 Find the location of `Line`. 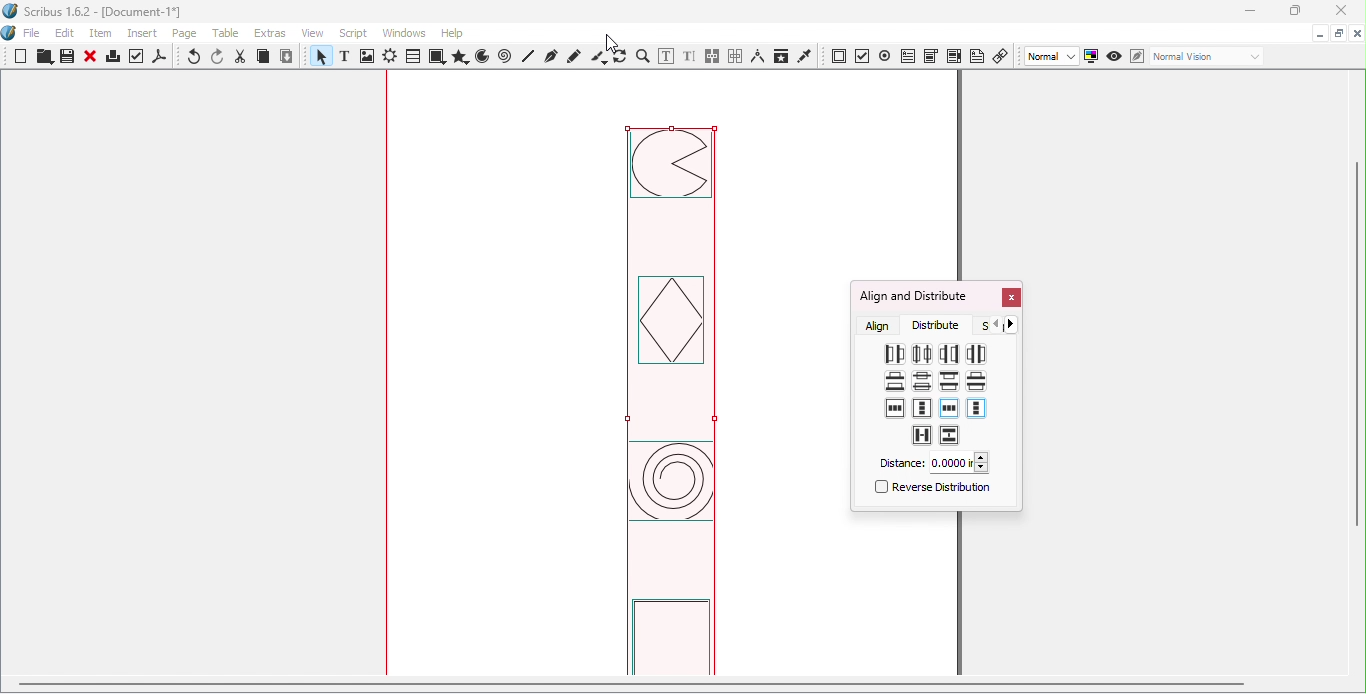

Line is located at coordinates (529, 56).